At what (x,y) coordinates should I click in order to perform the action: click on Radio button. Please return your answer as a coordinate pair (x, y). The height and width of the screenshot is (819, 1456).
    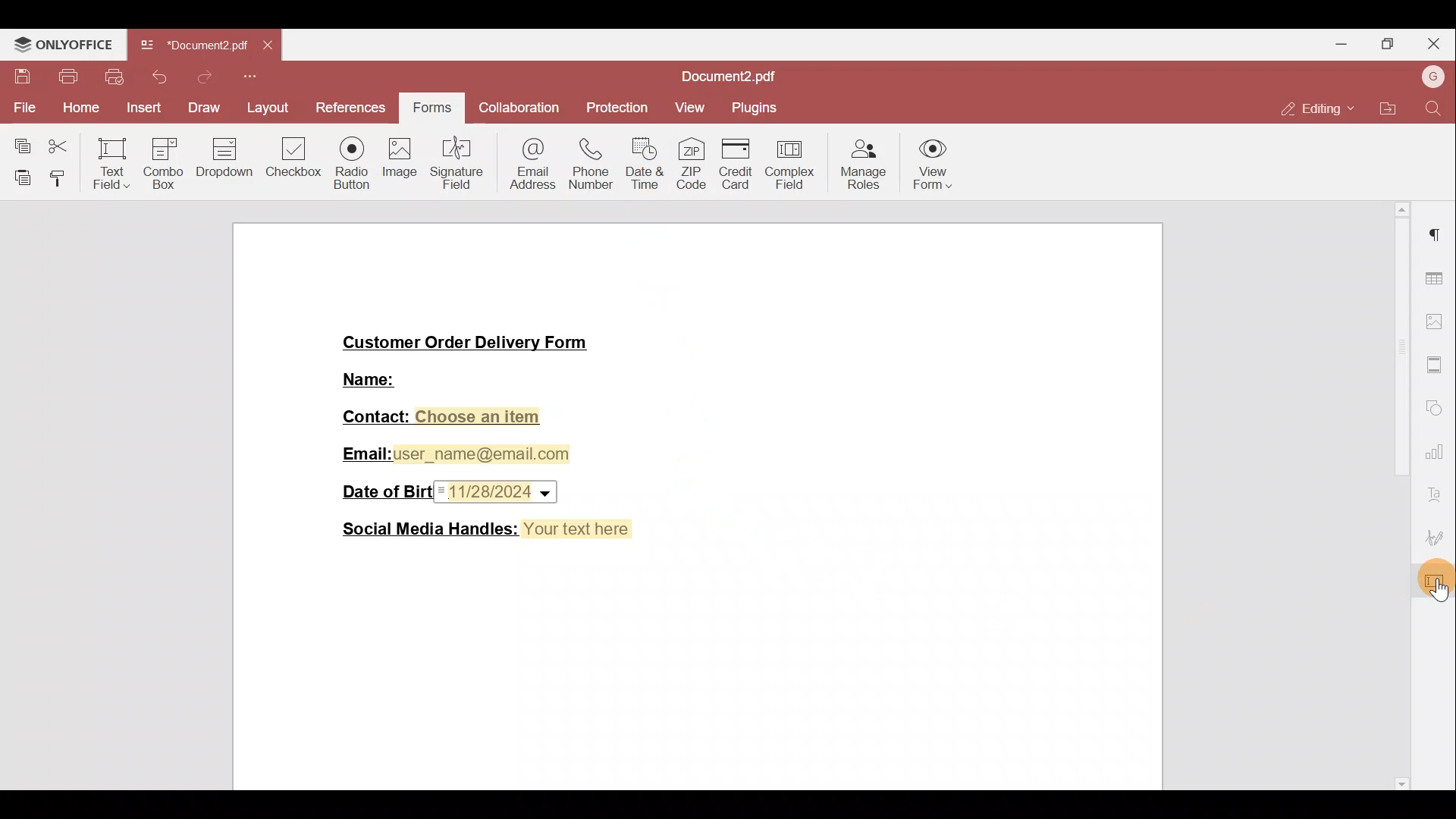
    Looking at the image, I should click on (351, 159).